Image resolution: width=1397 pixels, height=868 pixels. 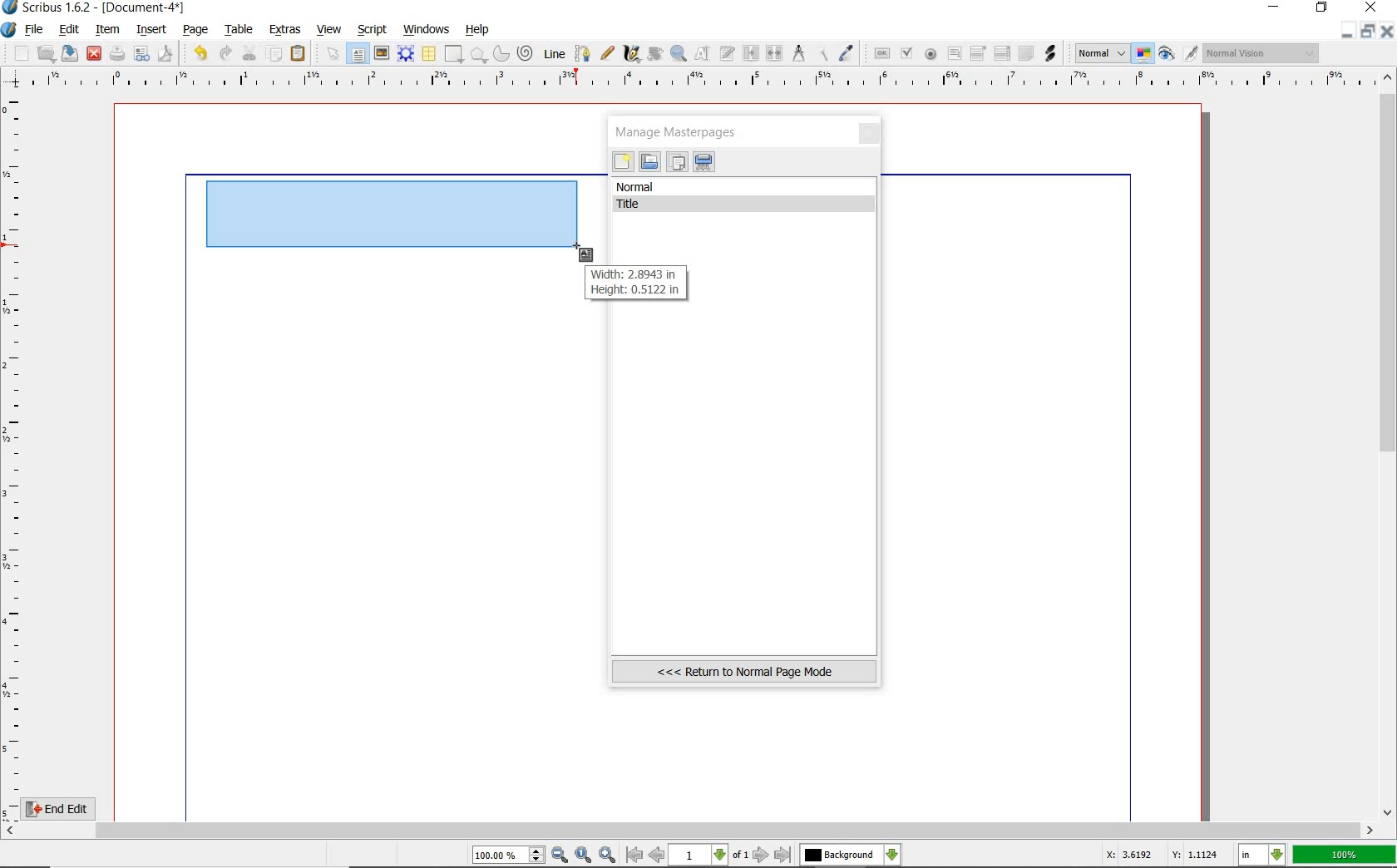 I want to click on paste, so click(x=299, y=54).